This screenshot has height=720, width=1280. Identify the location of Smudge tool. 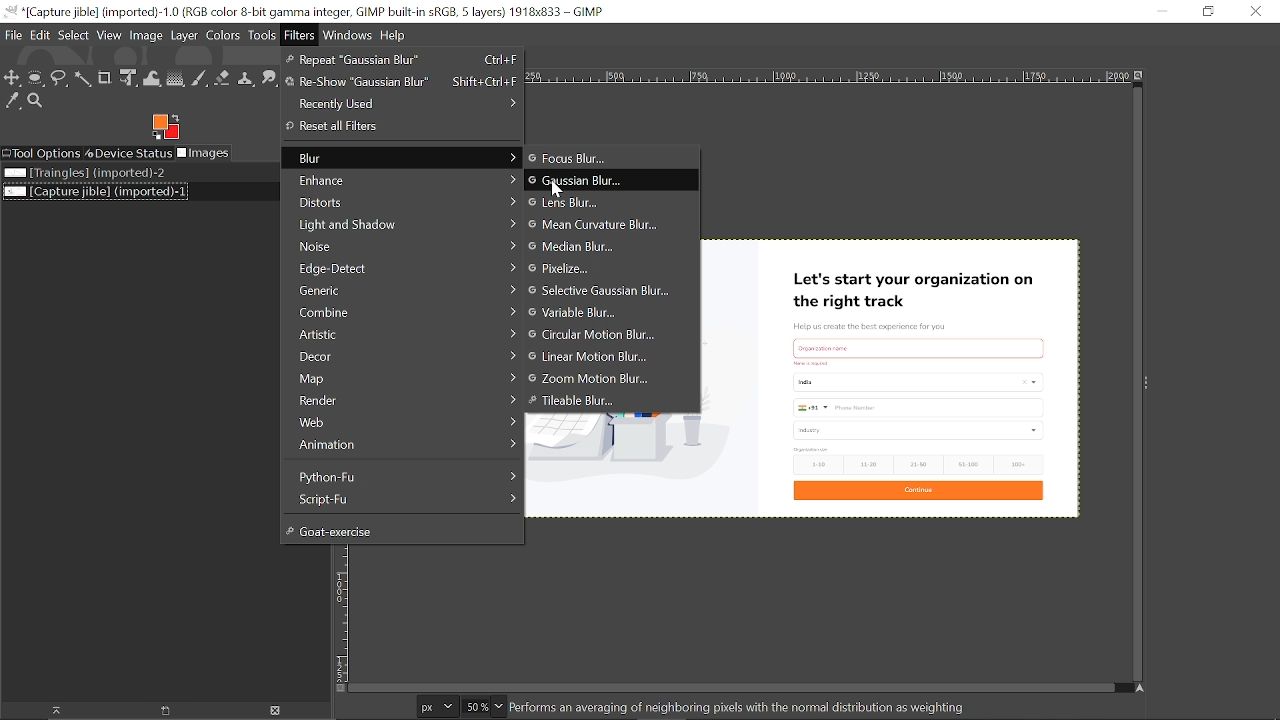
(270, 77).